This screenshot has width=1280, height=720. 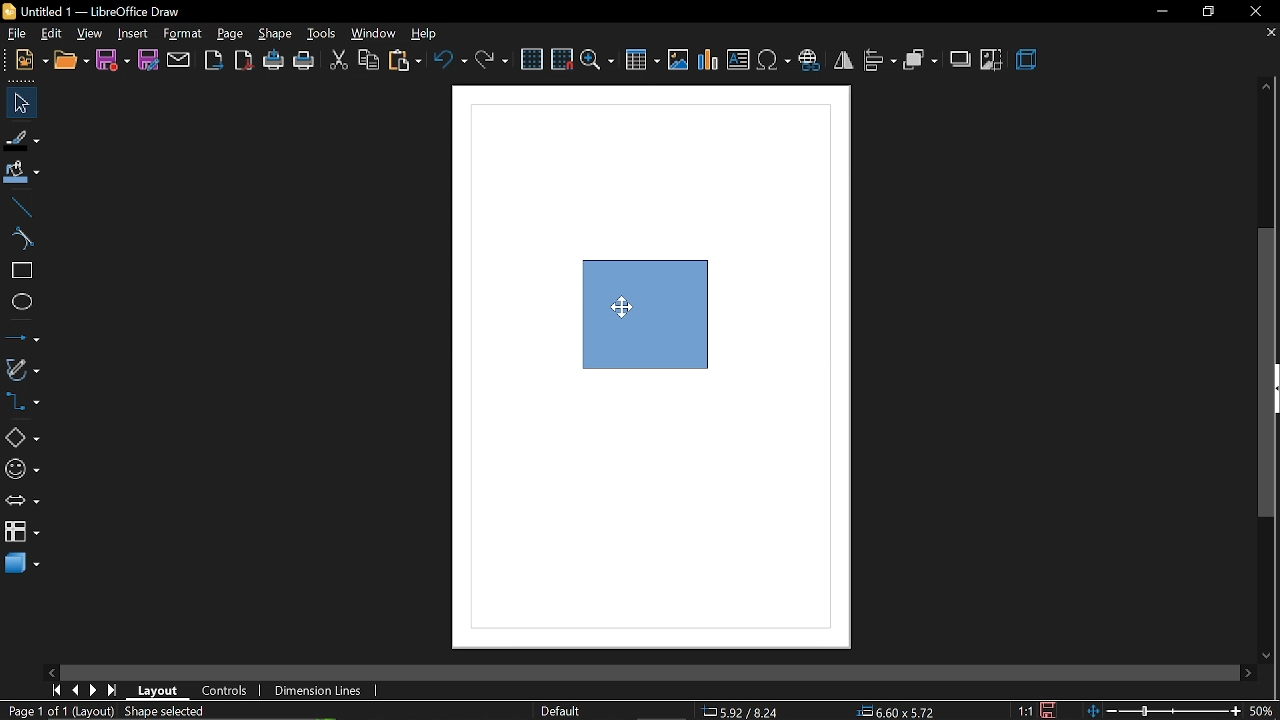 What do you see at coordinates (19, 271) in the screenshot?
I see `rectangle` at bounding box center [19, 271].